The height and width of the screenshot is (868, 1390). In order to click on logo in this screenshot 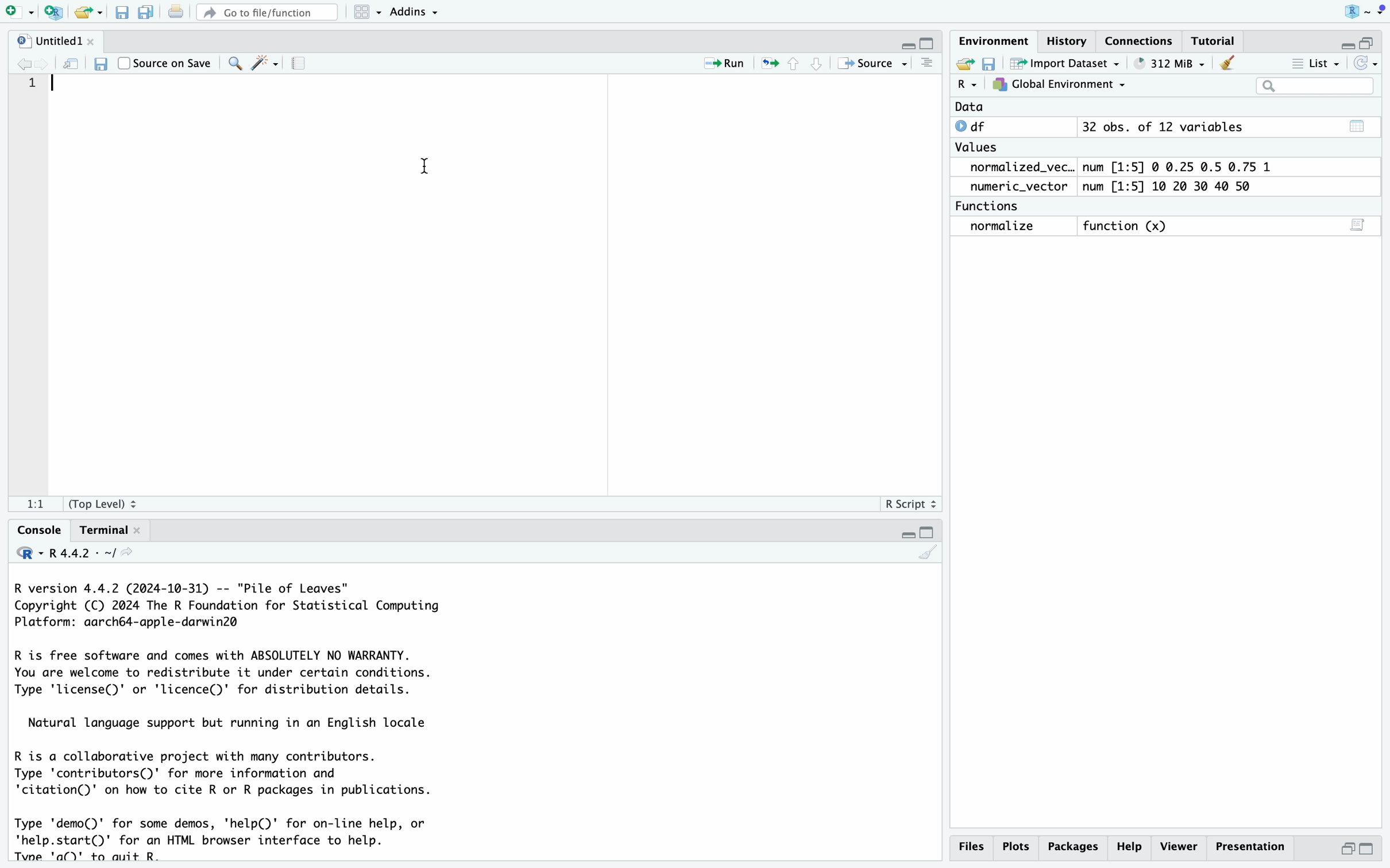, I will do `click(26, 12)`.